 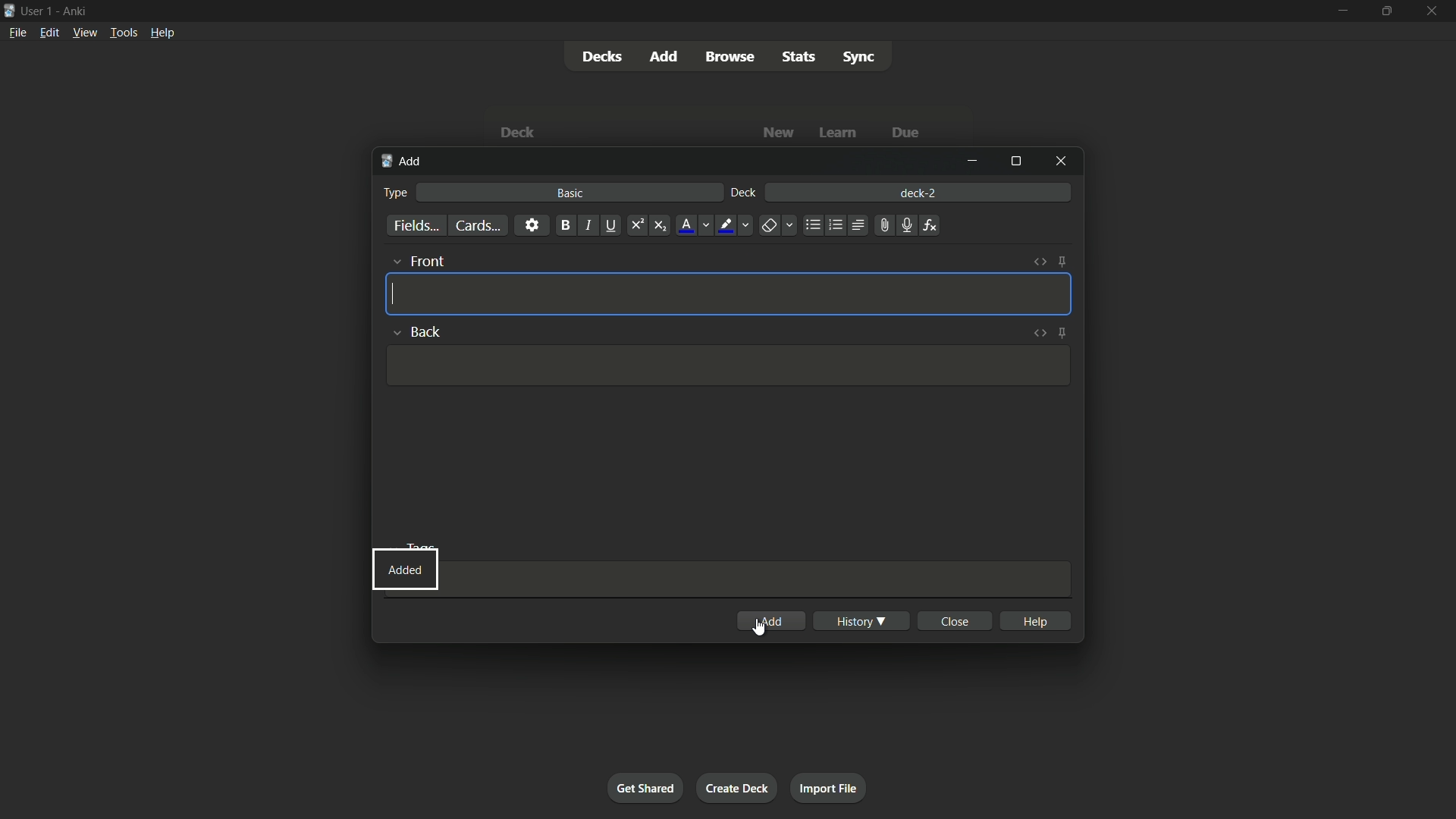 What do you see at coordinates (662, 56) in the screenshot?
I see `add` at bounding box center [662, 56].